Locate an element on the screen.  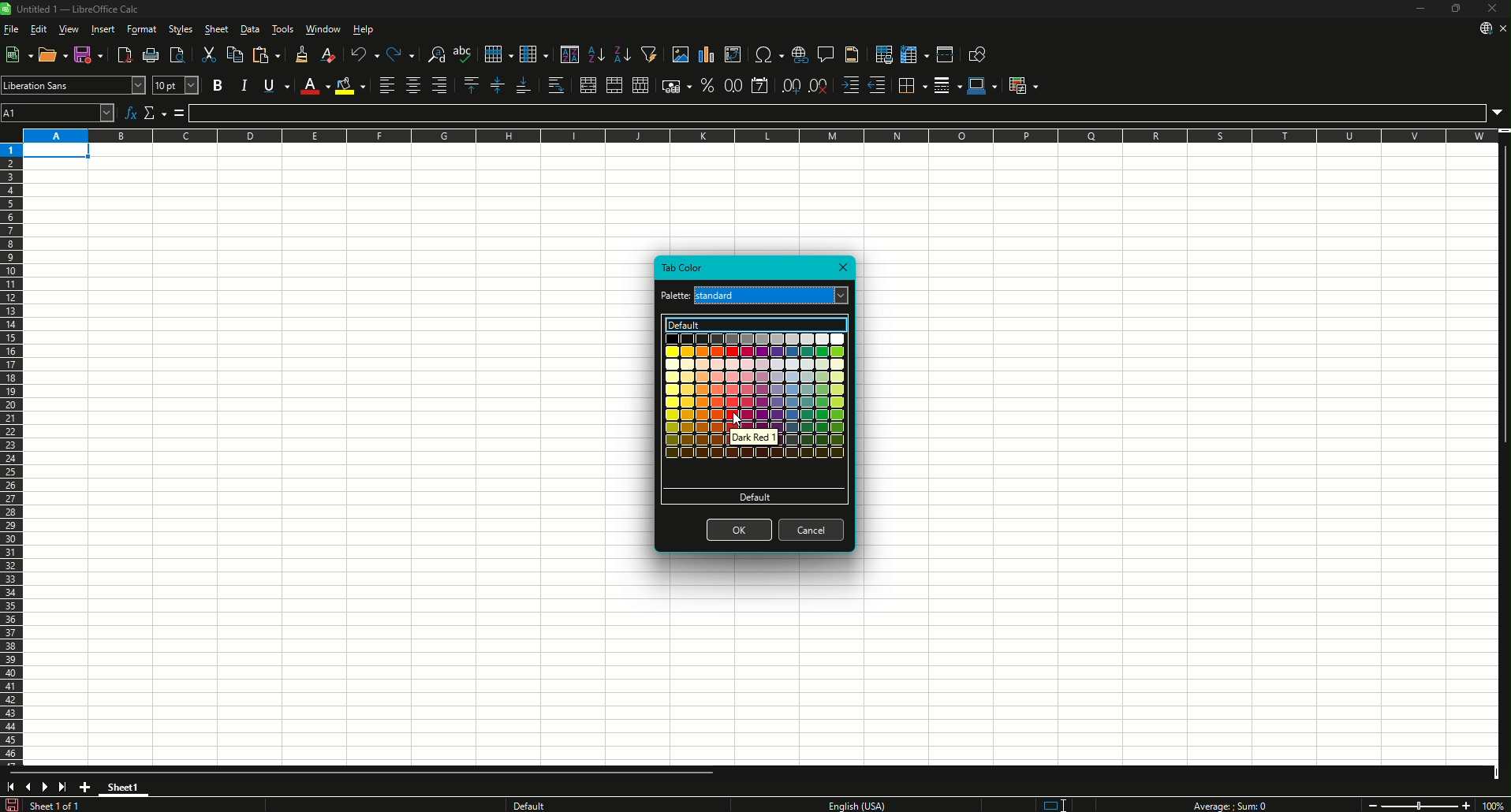
Border Style is located at coordinates (947, 86).